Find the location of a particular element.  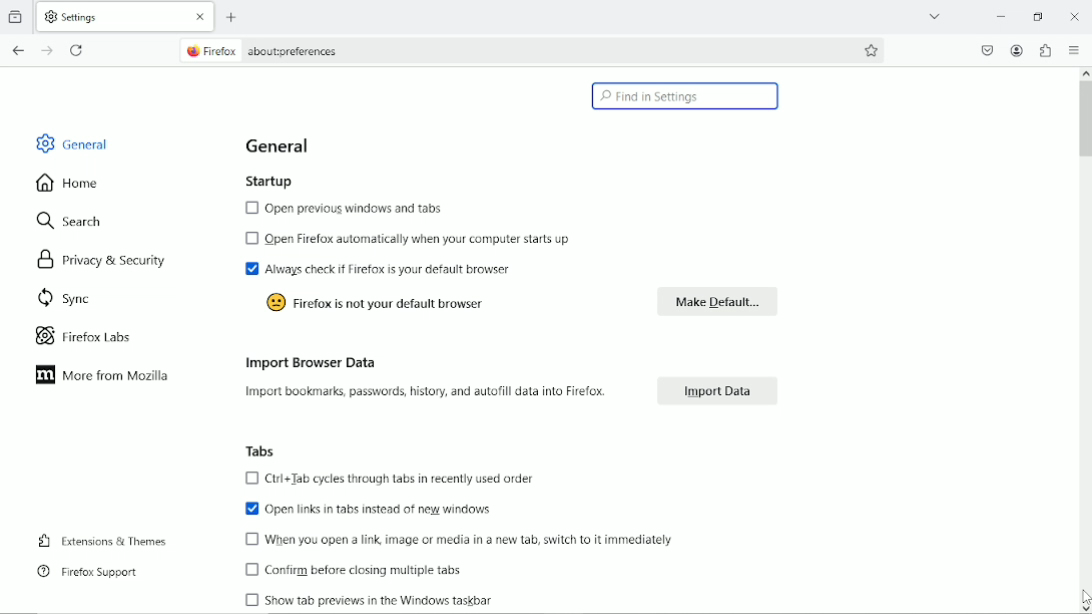

Import browser data is located at coordinates (311, 363).